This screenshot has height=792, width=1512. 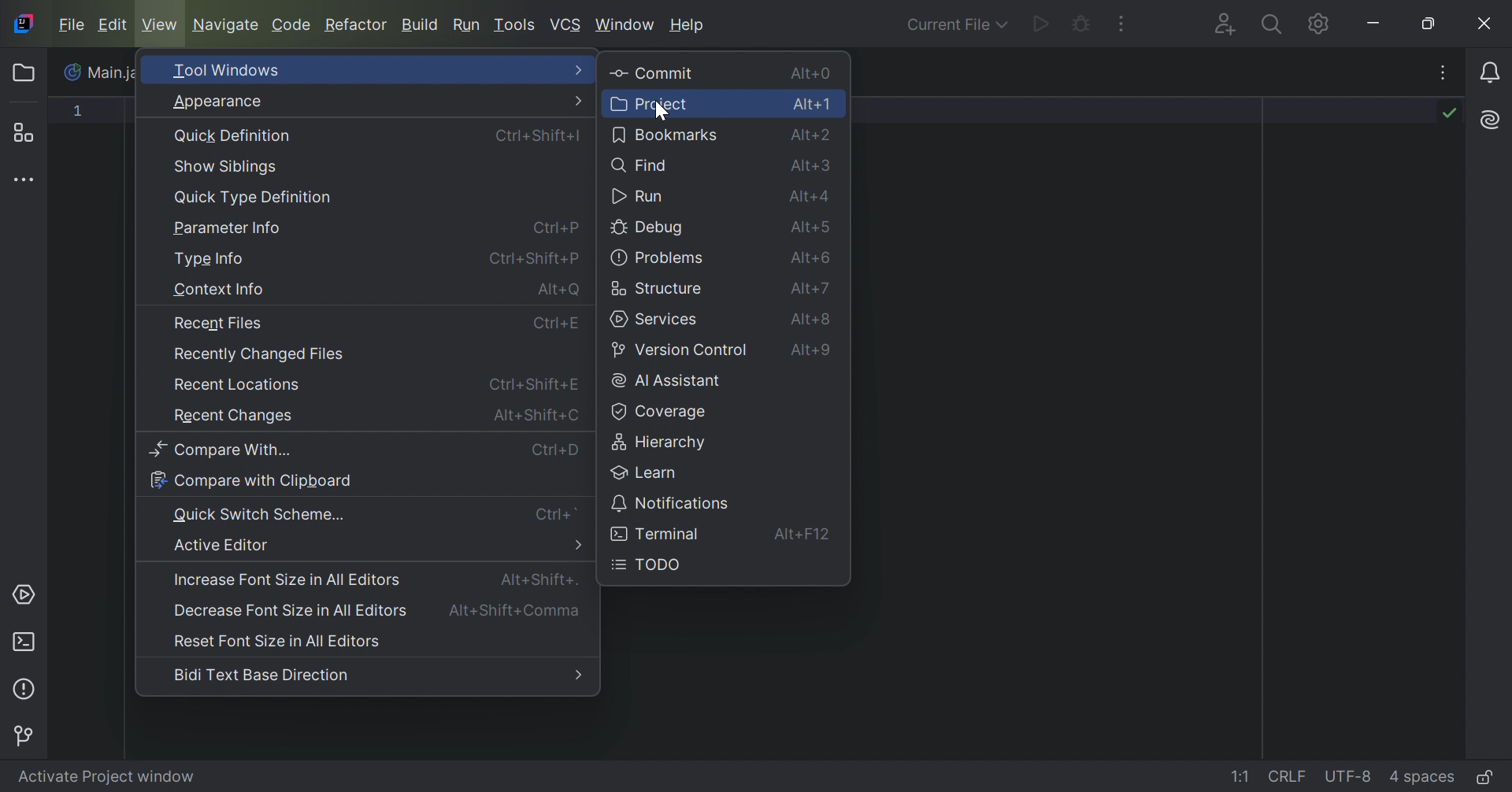 I want to click on Debug, so click(x=1080, y=26).